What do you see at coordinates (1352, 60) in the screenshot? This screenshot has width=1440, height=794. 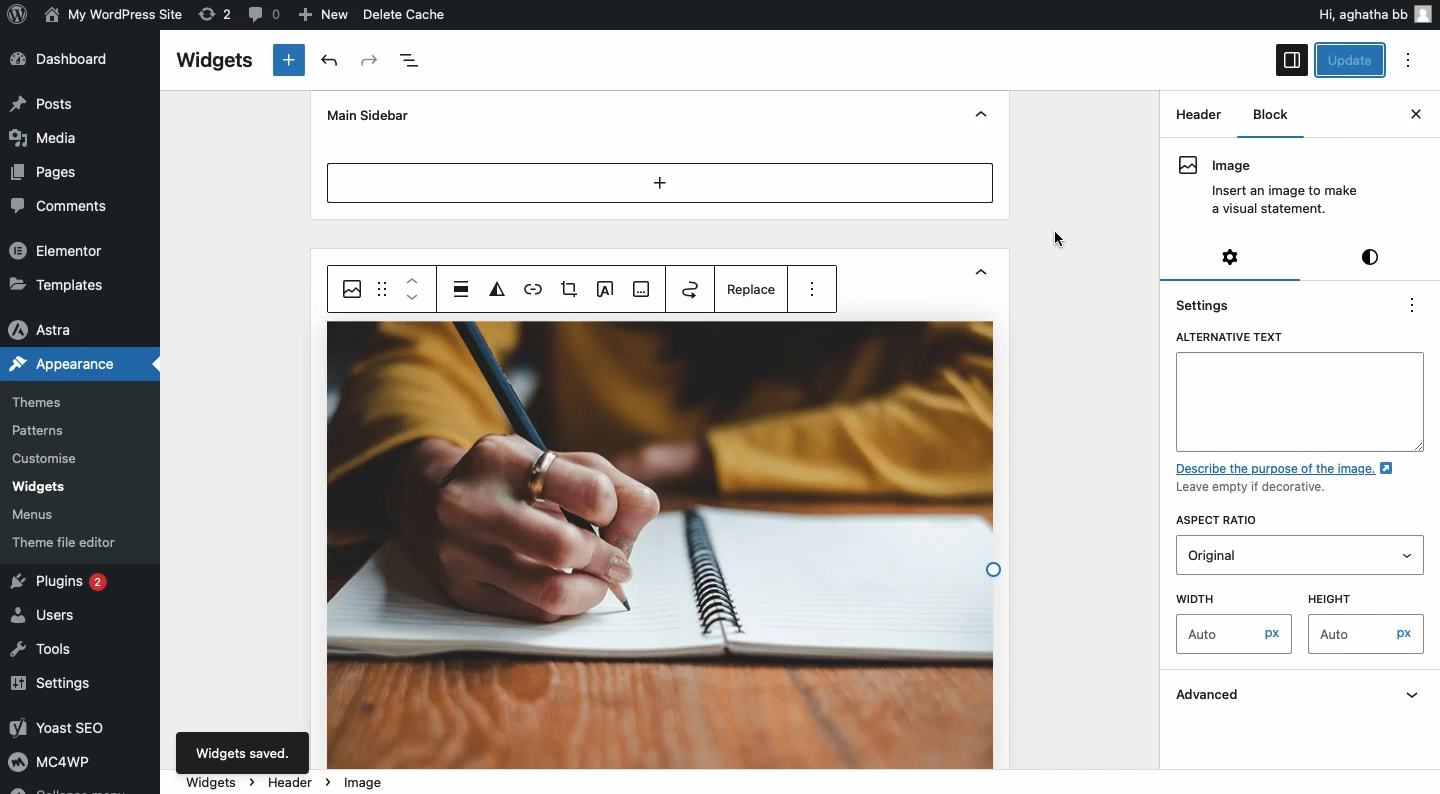 I see `Update` at bounding box center [1352, 60].